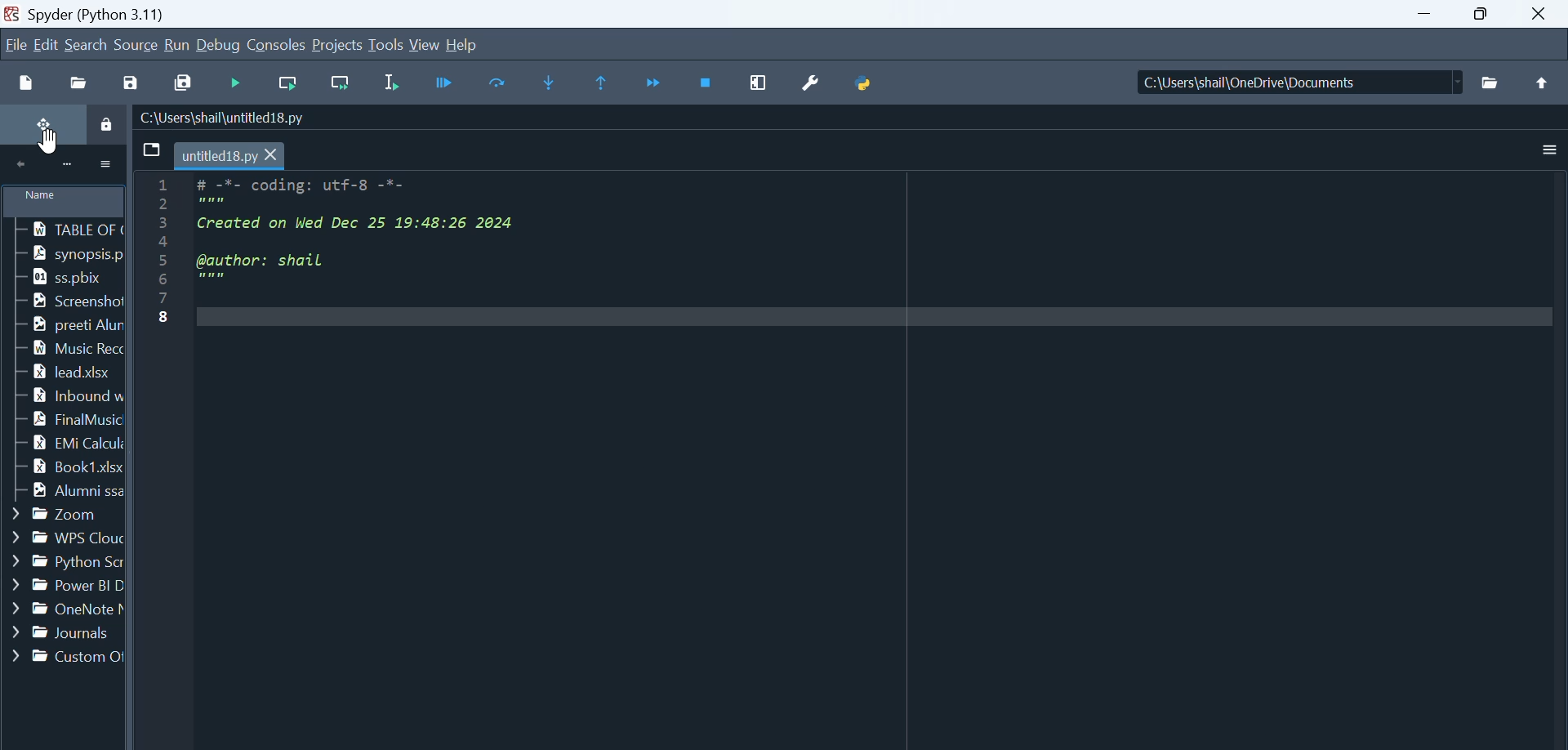  What do you see at coordinates (59, 372) in the screenshot?
I see `lead xlsx..` at bounding box center [59, 372].